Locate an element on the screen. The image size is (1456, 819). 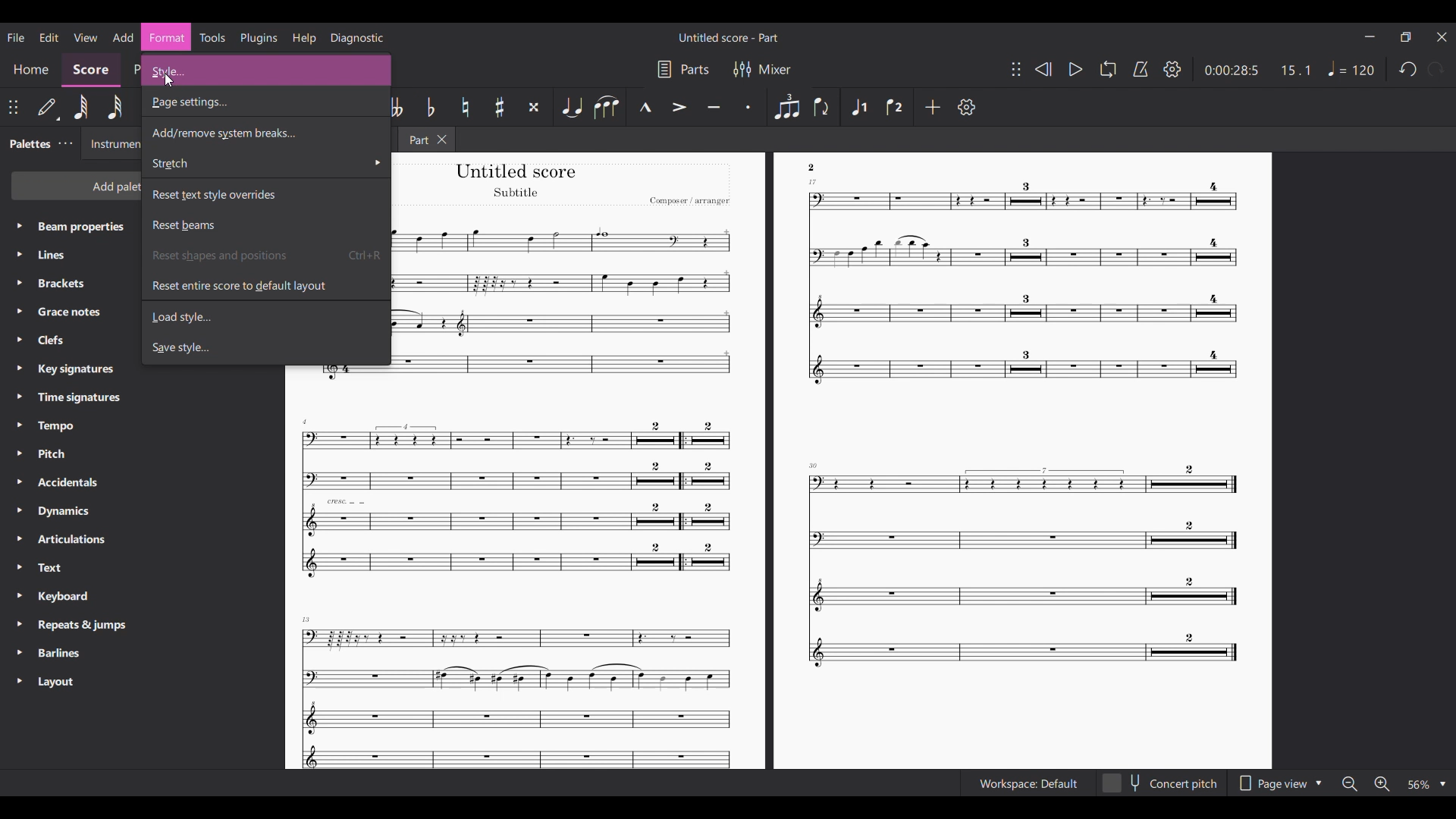
Settings is located at coordinates (966, 107).